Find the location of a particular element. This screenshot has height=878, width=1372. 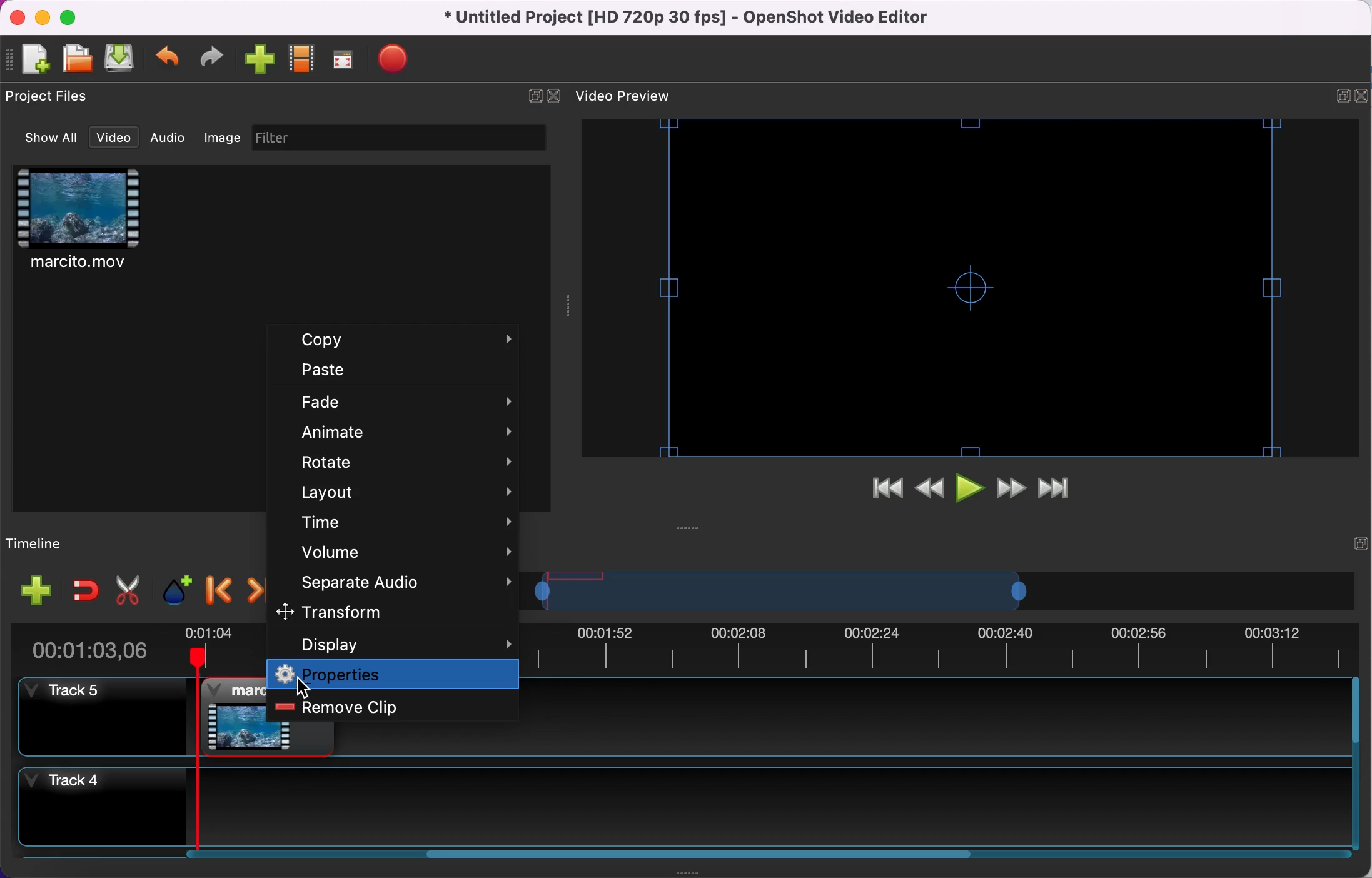

rotate is located at coordinates (400, 461).